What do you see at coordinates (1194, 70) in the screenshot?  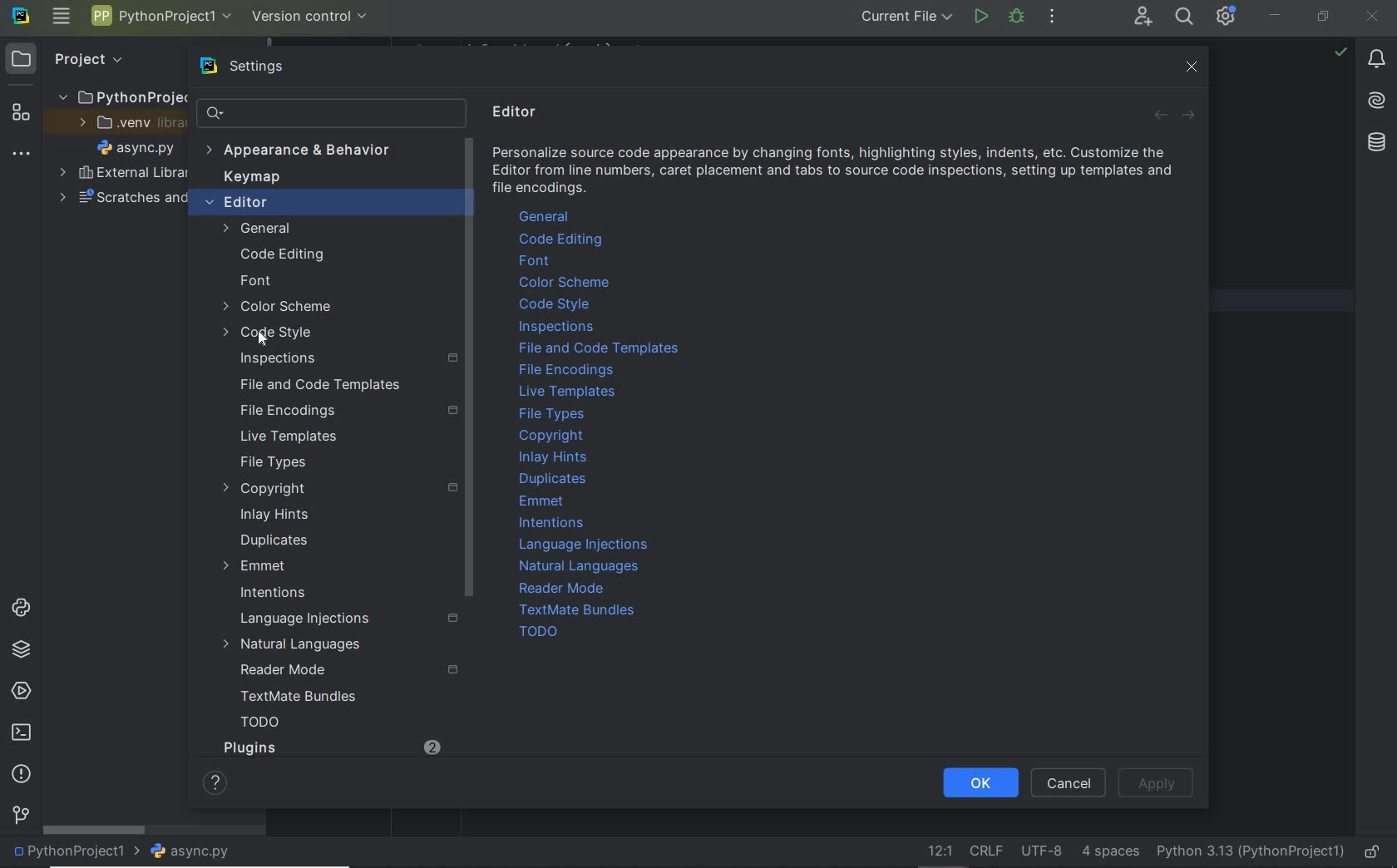 I see `close` at bounding box center [1194, 70].